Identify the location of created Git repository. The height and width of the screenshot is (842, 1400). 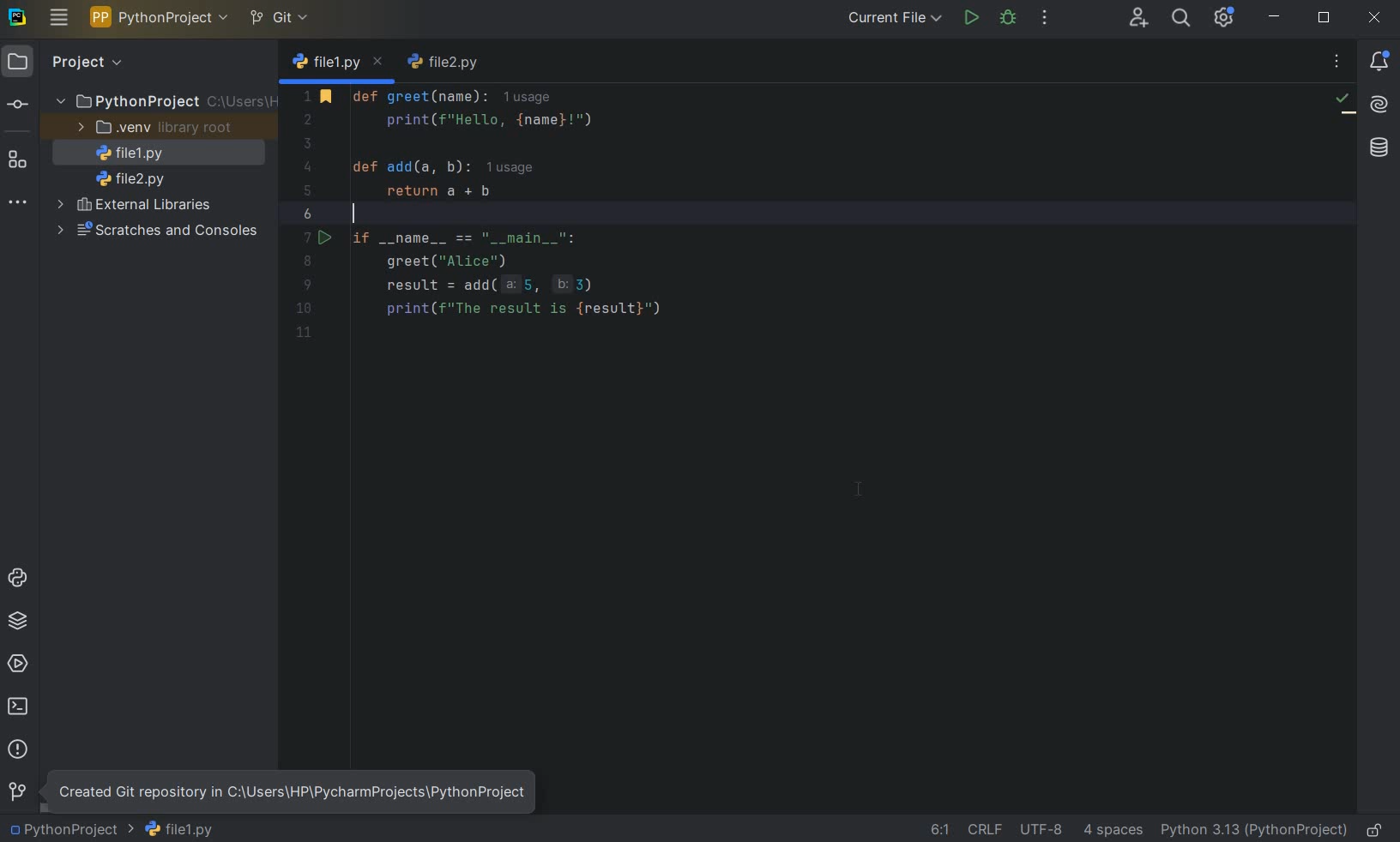
(291, 791).